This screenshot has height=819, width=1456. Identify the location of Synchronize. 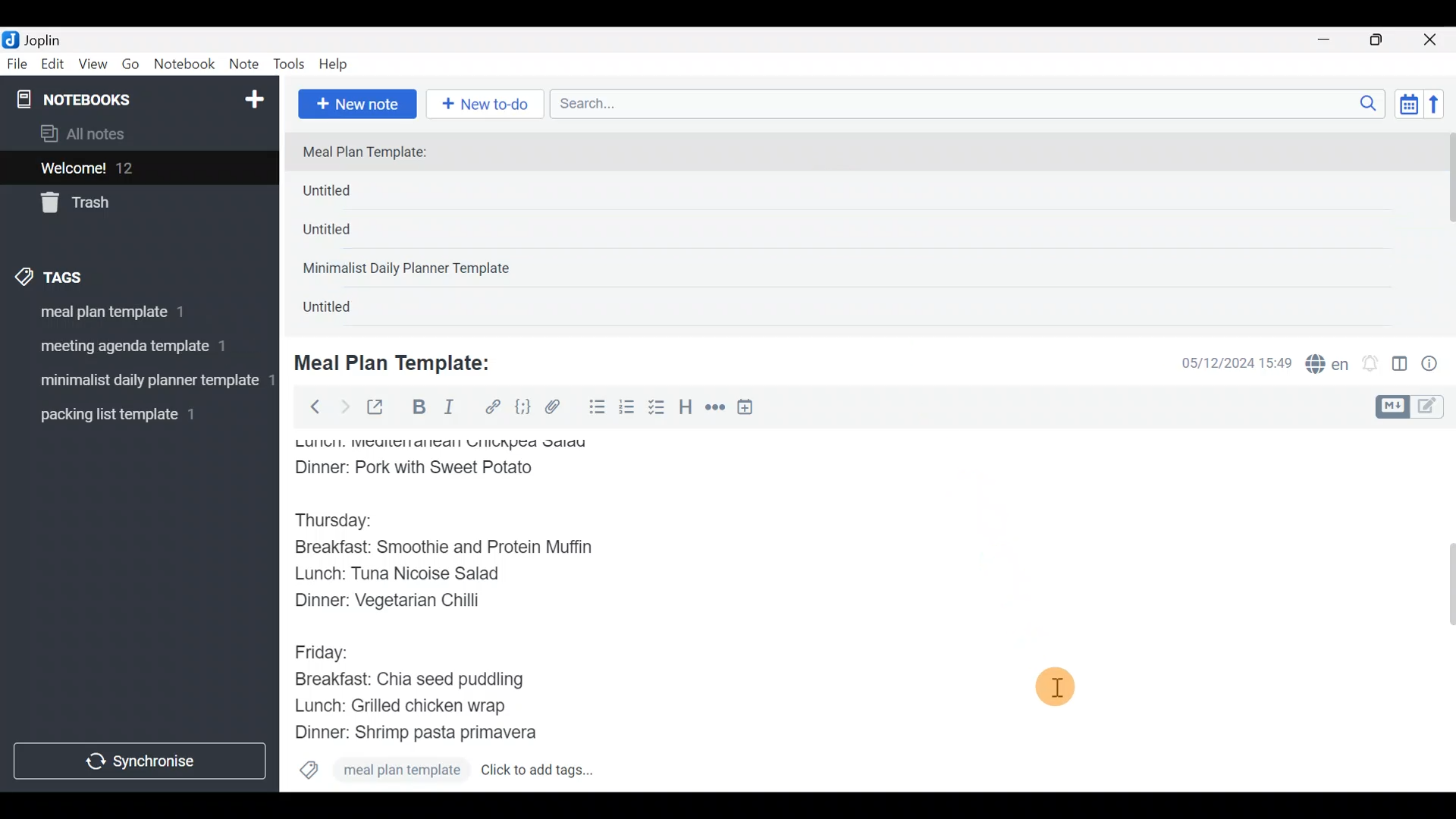
(142, 761).